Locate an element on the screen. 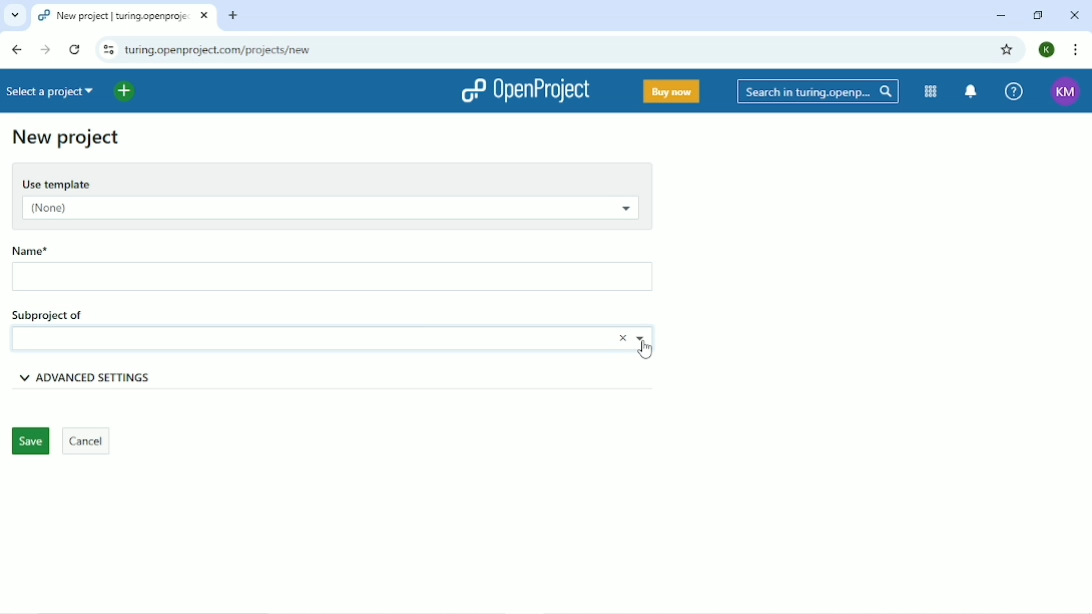 The height and width of the screenshot is (614, 1092). Advanced settings is located at coordinates (83, 377).